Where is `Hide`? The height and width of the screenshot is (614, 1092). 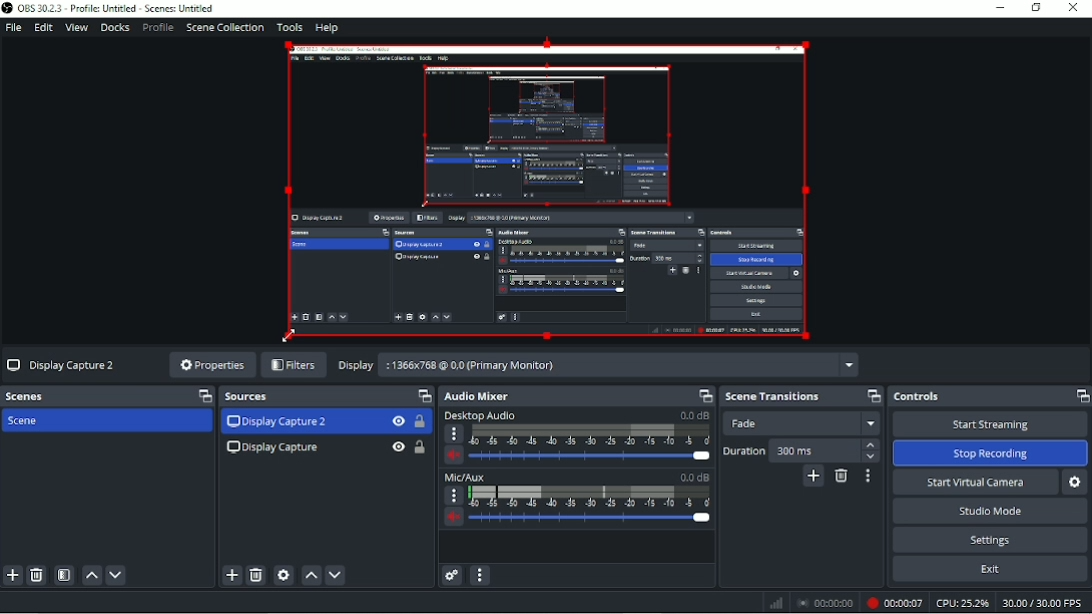
Hide is located at coordinates (397, 447).